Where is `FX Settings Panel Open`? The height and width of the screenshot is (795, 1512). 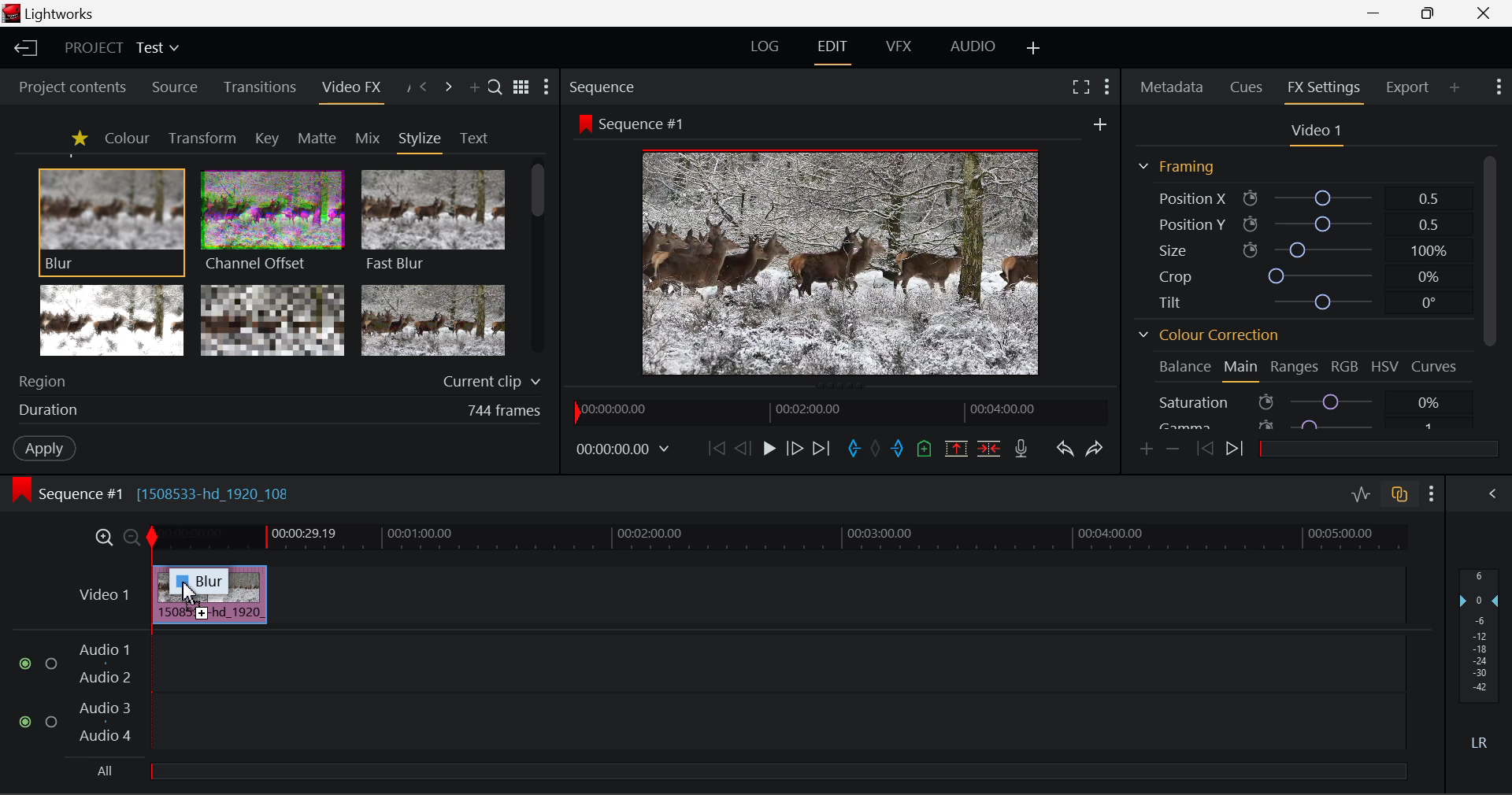 FX Settings Panel Open is located at coordinates (1321, 90).